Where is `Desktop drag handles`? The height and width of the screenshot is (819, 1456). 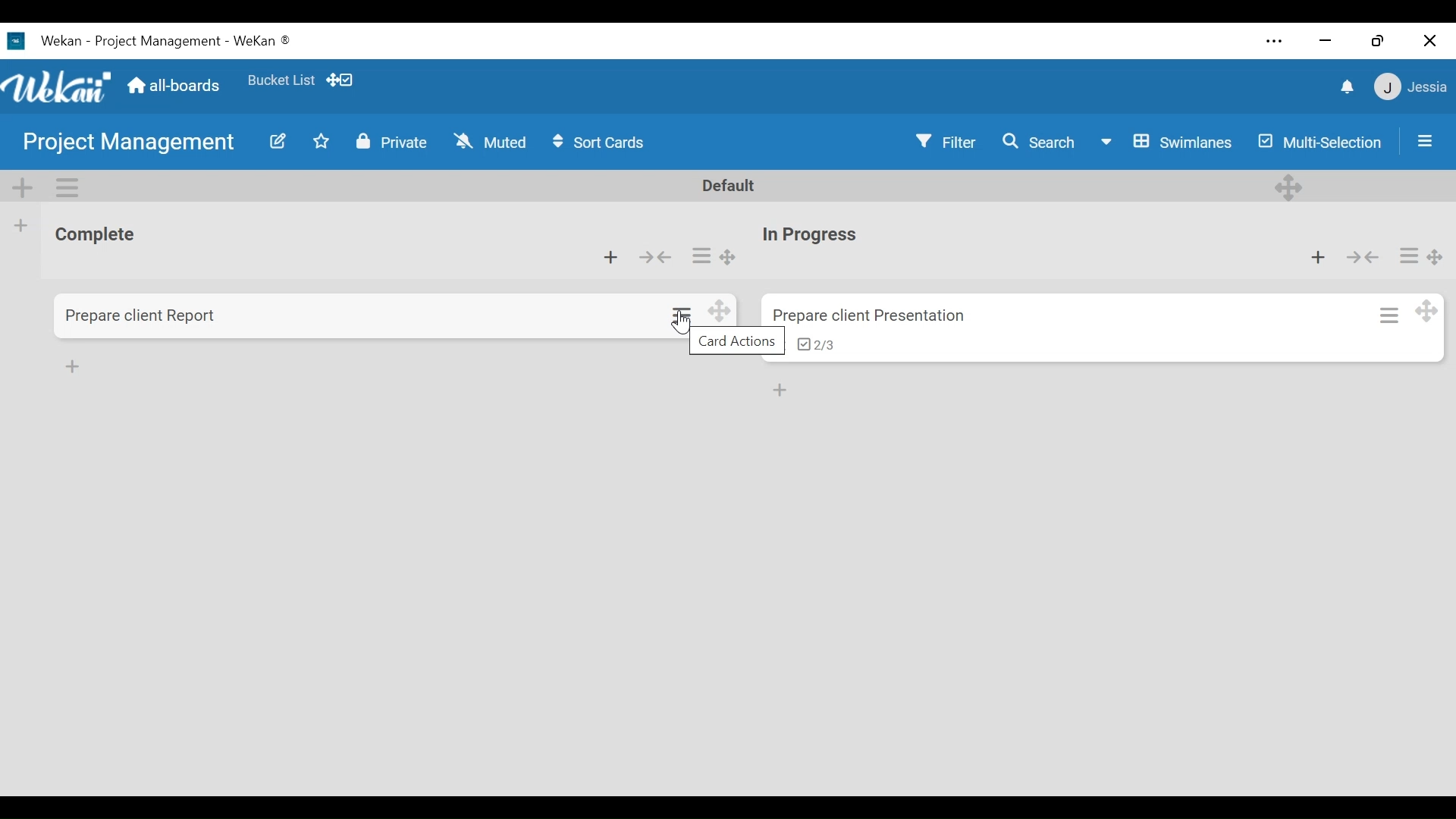 Desktop drag handles is located at coordinates (720, 312).